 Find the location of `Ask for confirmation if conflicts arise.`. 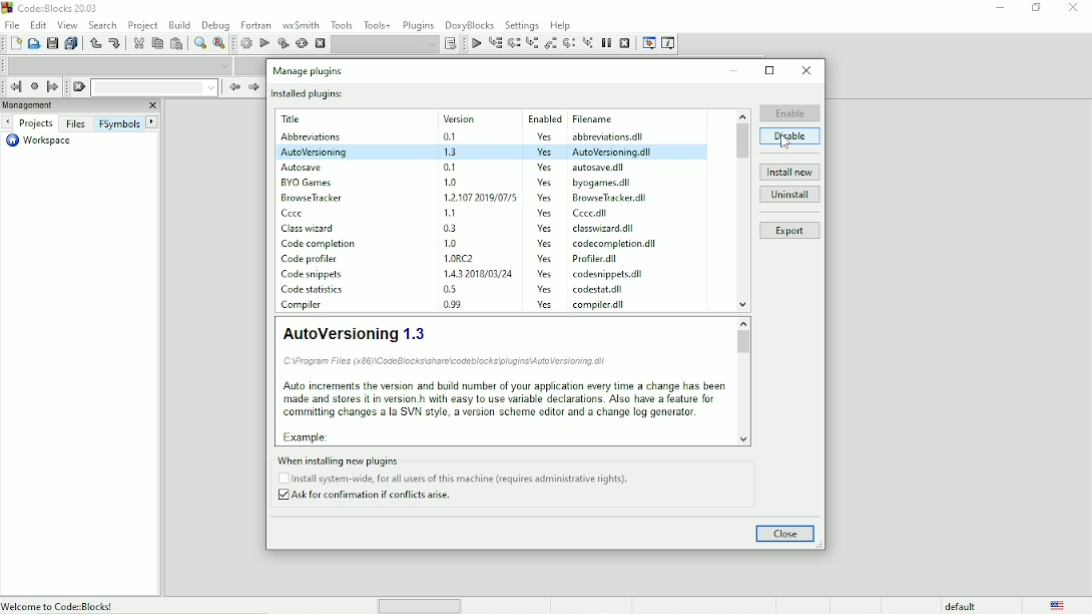

Ask for confirmation if conflicts arise. is located at coordinates (369, 497).